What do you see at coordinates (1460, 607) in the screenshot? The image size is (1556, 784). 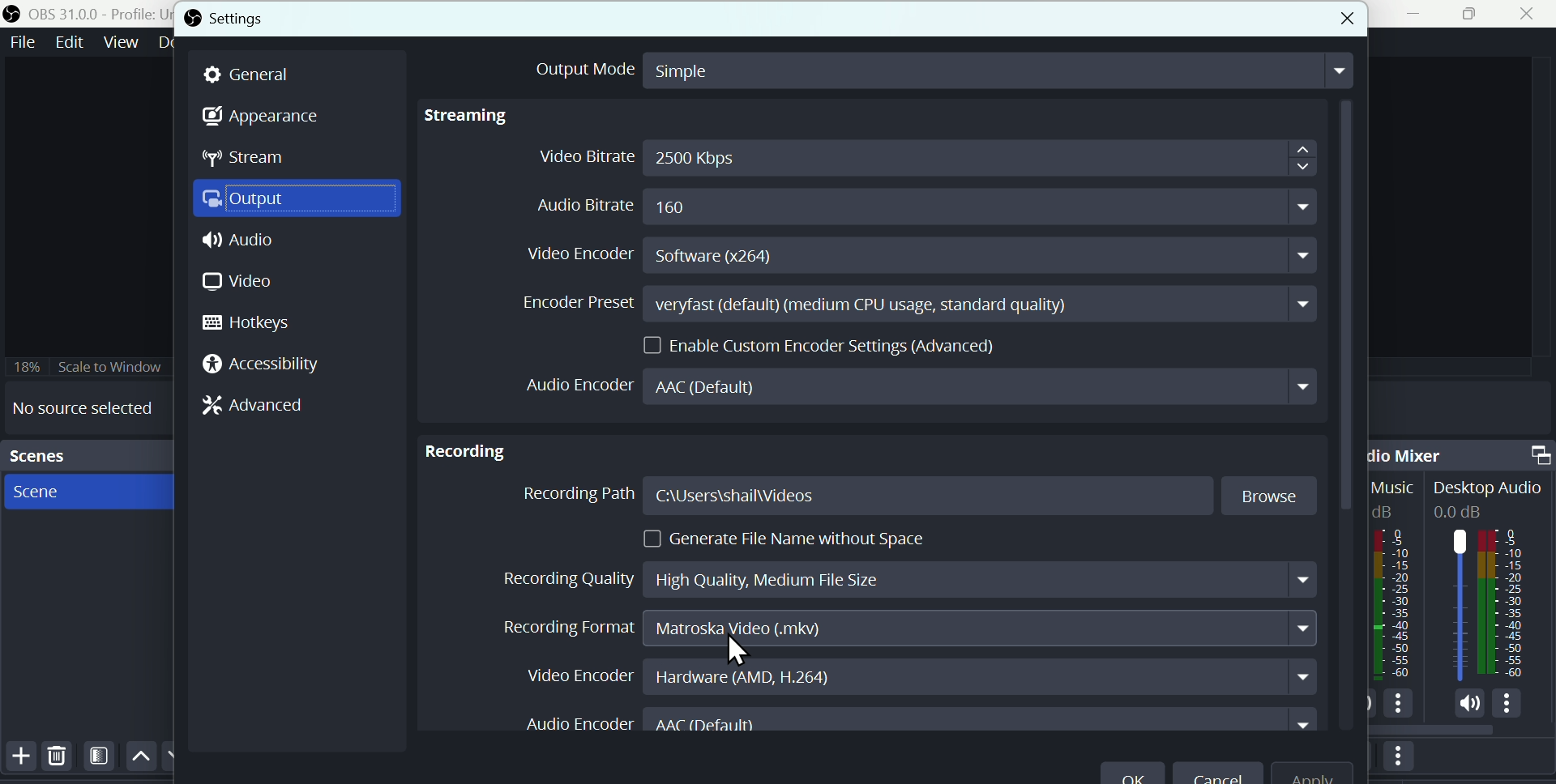 I see `Audiobar` at bounding box center [1460, 607].